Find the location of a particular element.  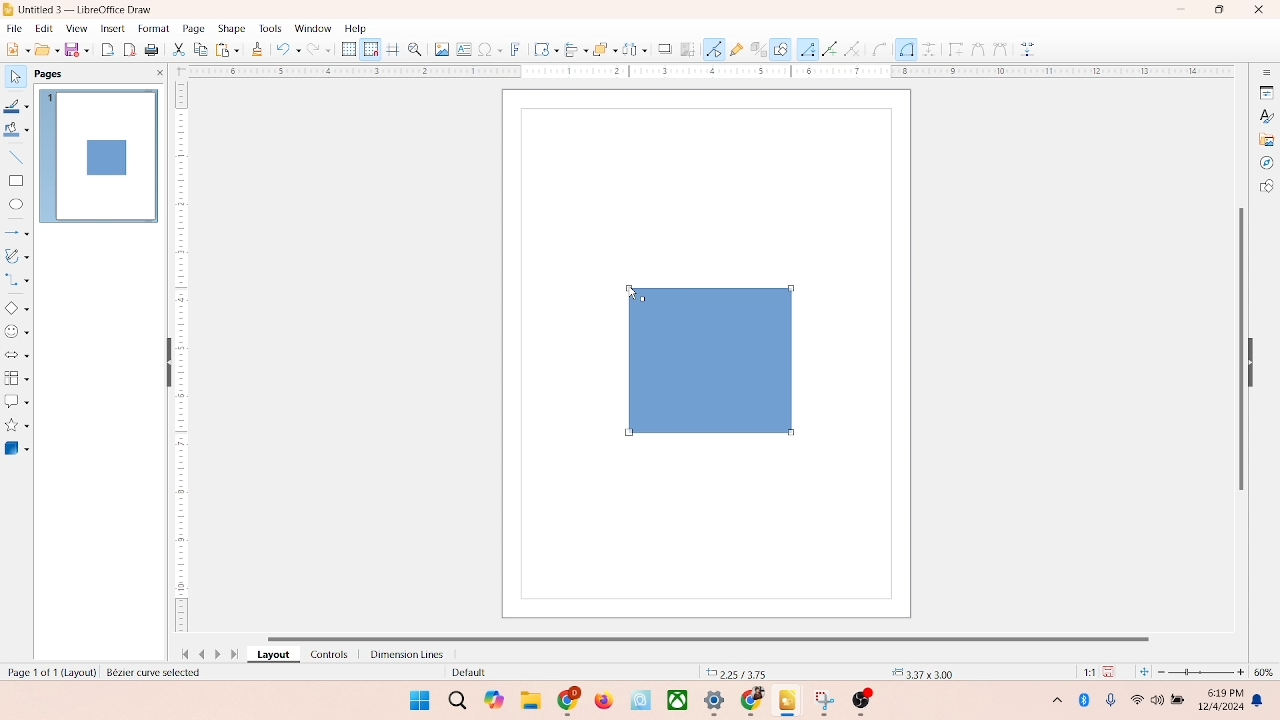

styles is located at coordinates (1265, 115).